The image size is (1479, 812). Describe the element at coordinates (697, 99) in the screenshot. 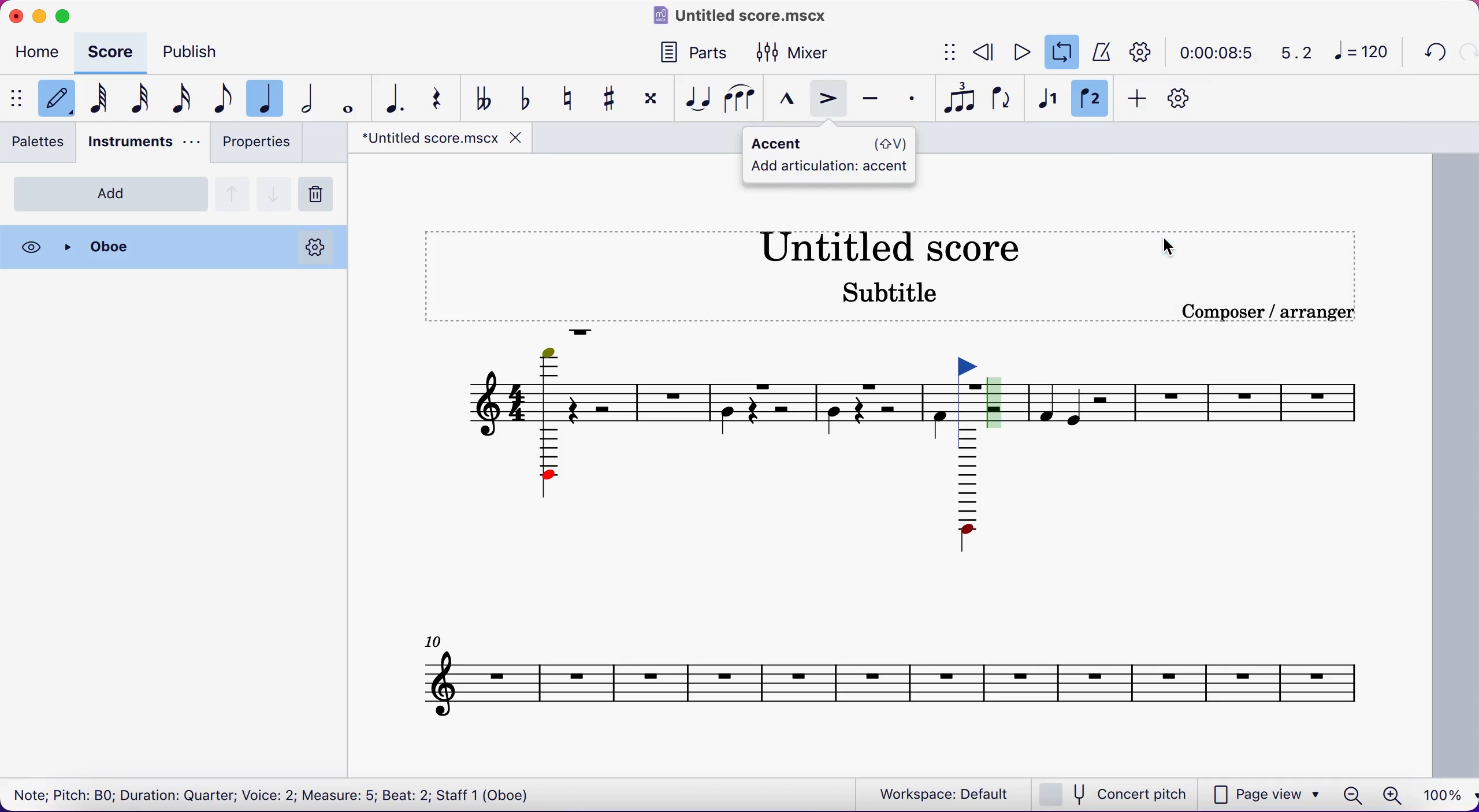

I see `tie` at that location.